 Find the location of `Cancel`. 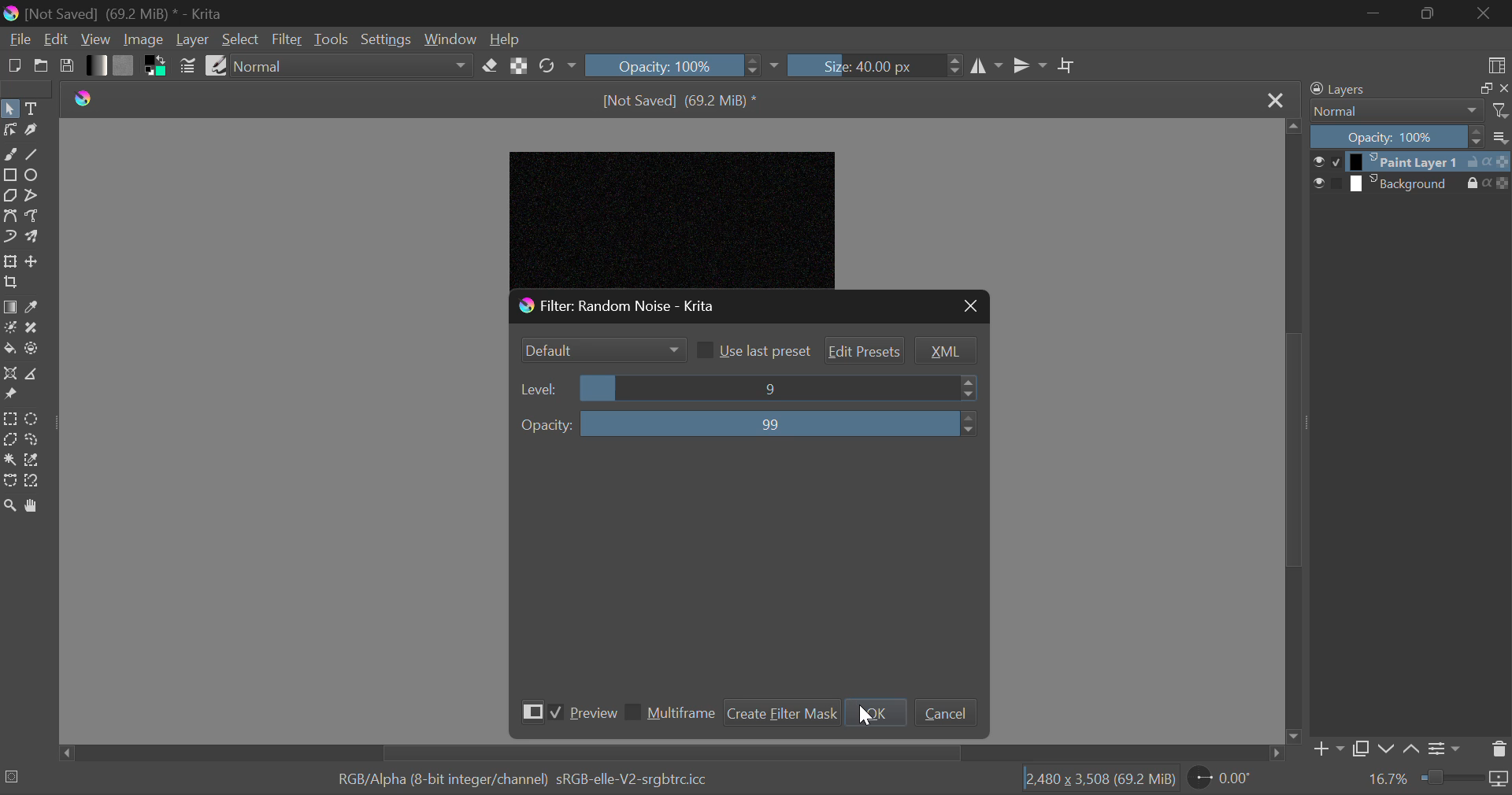

Cancel is located at coordinates (945, 713).